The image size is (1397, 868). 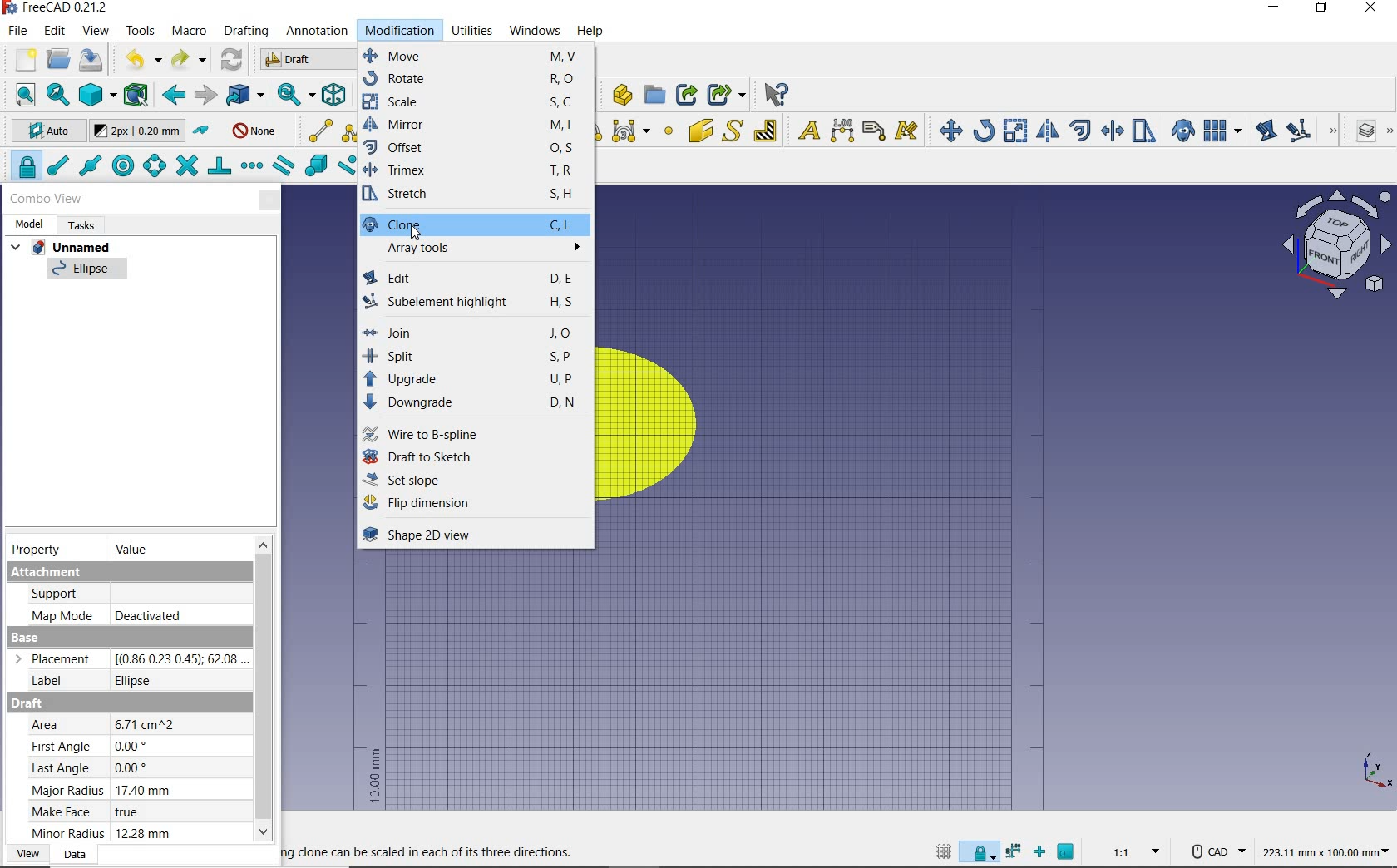 I want to click on trimex, so click(x=1112, y=131).